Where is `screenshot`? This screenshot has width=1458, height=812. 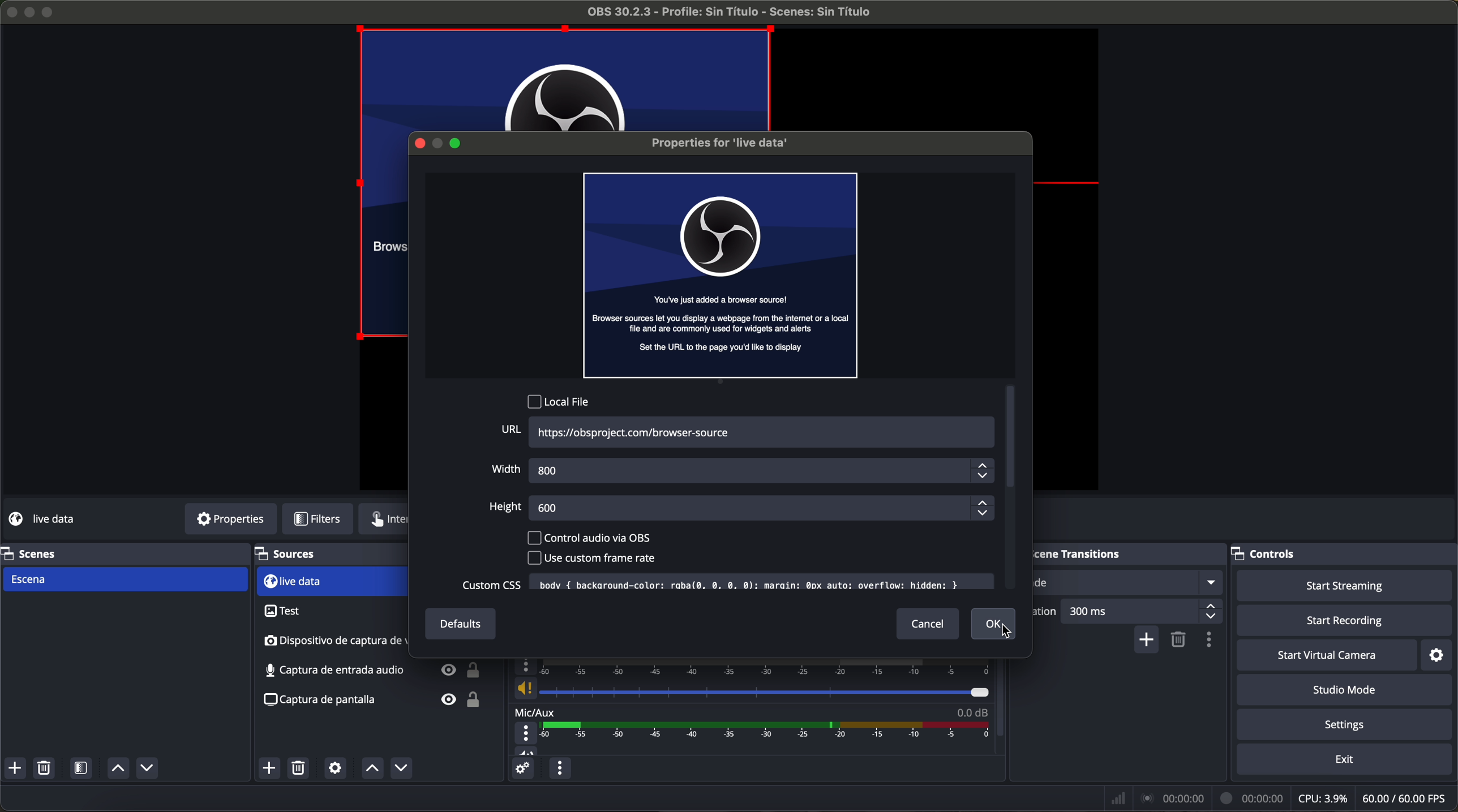 screenshot is located at coordinates (374, 670).